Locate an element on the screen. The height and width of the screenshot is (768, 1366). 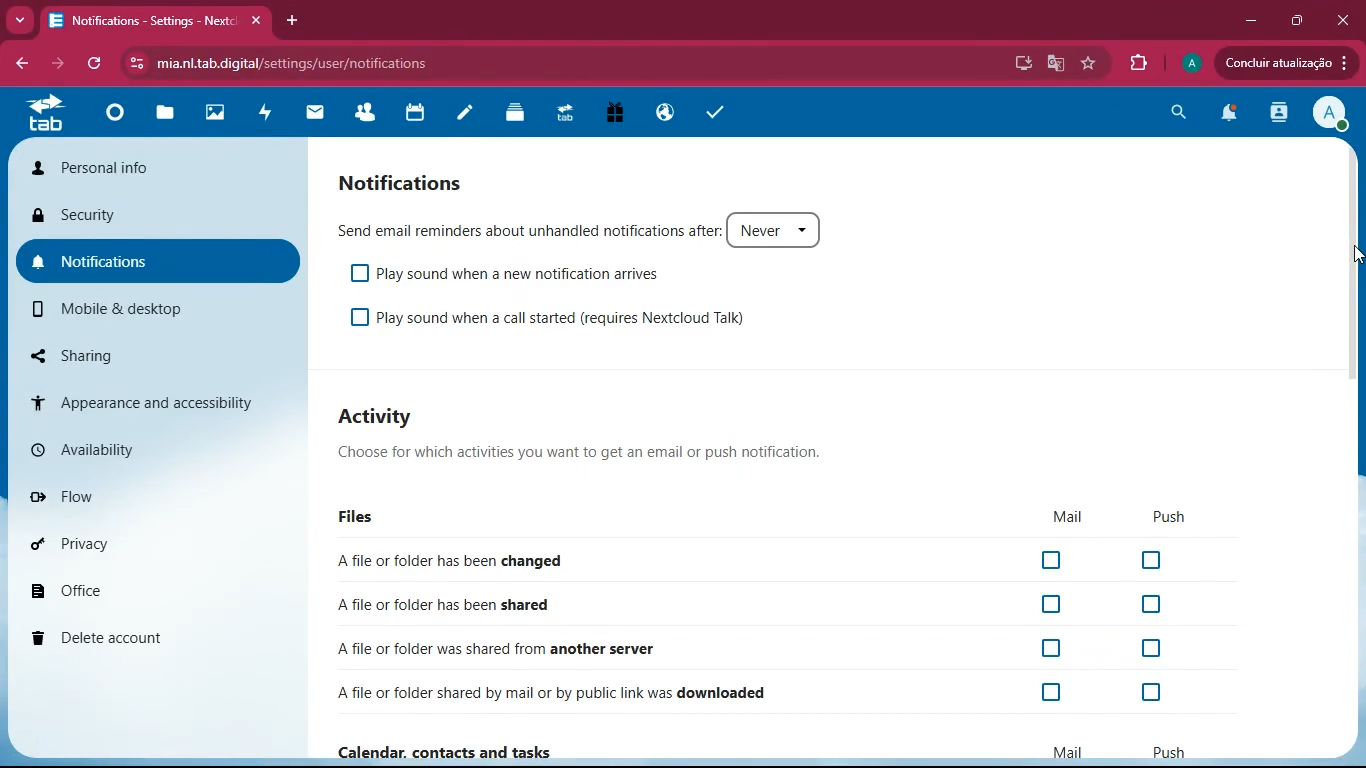
sharing is located at coordinates (119, 353).